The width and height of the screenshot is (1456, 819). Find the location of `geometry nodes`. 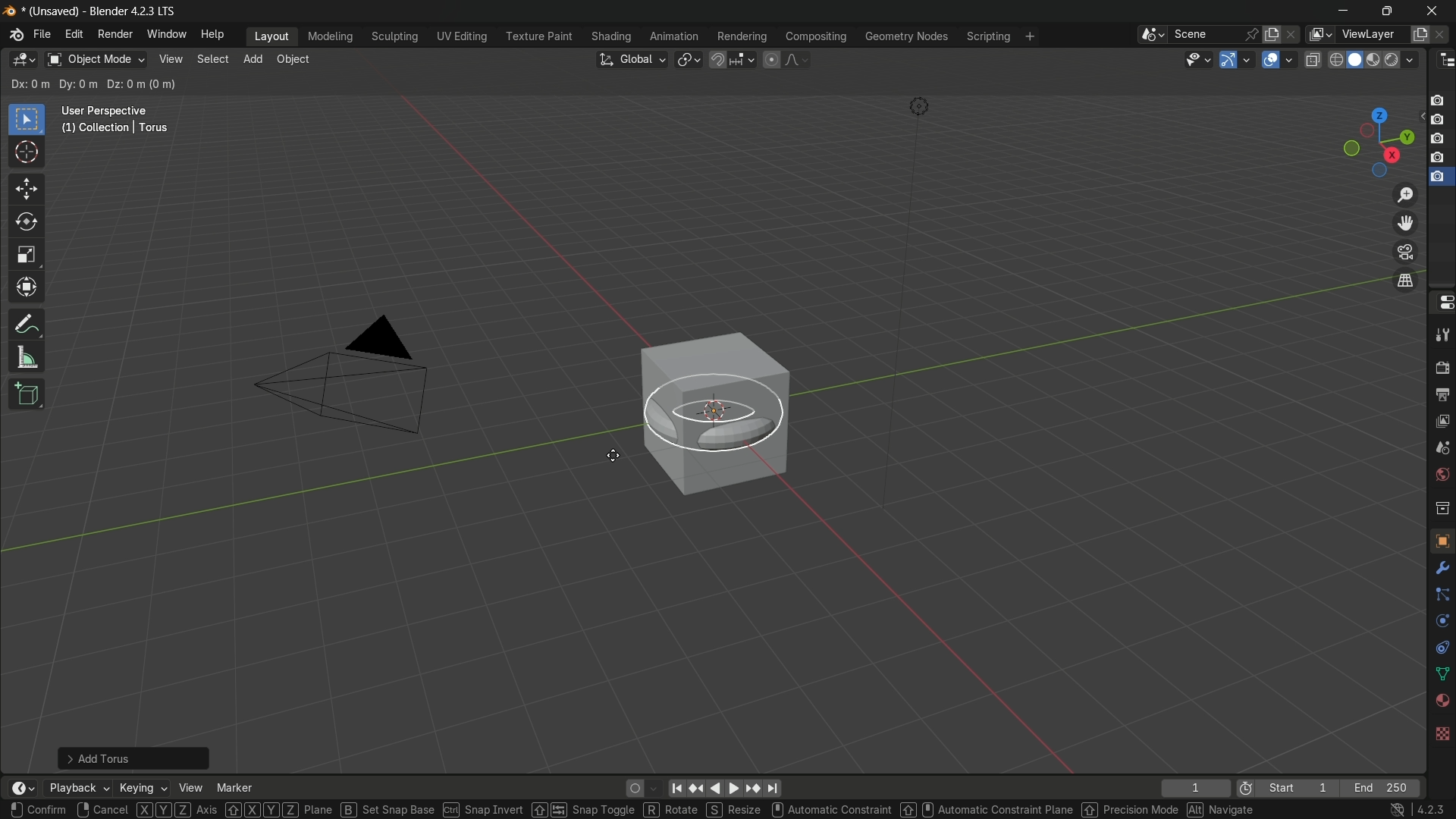

geometry nodes is located at coordinates (905, 37).